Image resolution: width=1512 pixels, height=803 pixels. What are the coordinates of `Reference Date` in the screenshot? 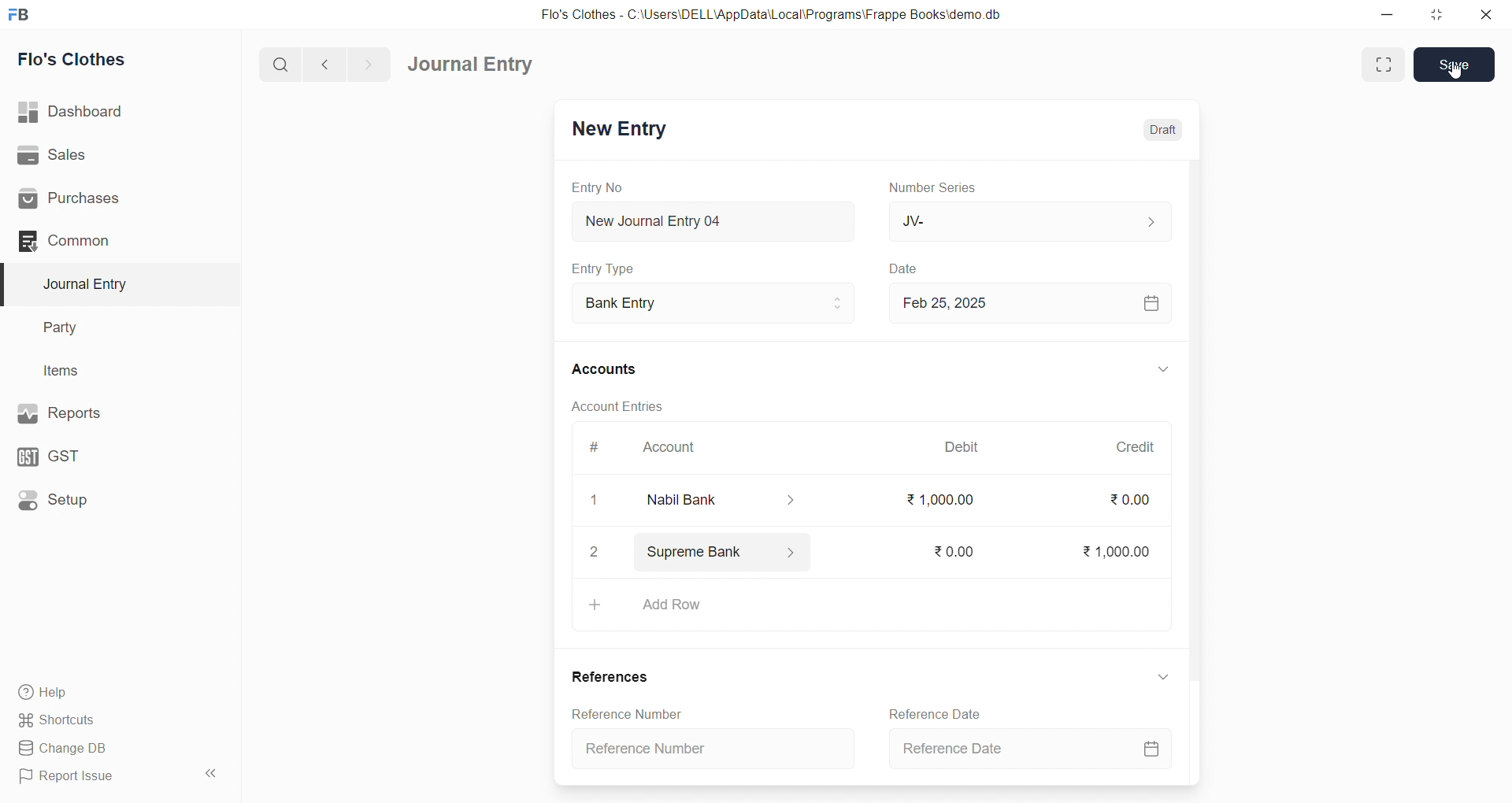 It's located at (1030, 752).